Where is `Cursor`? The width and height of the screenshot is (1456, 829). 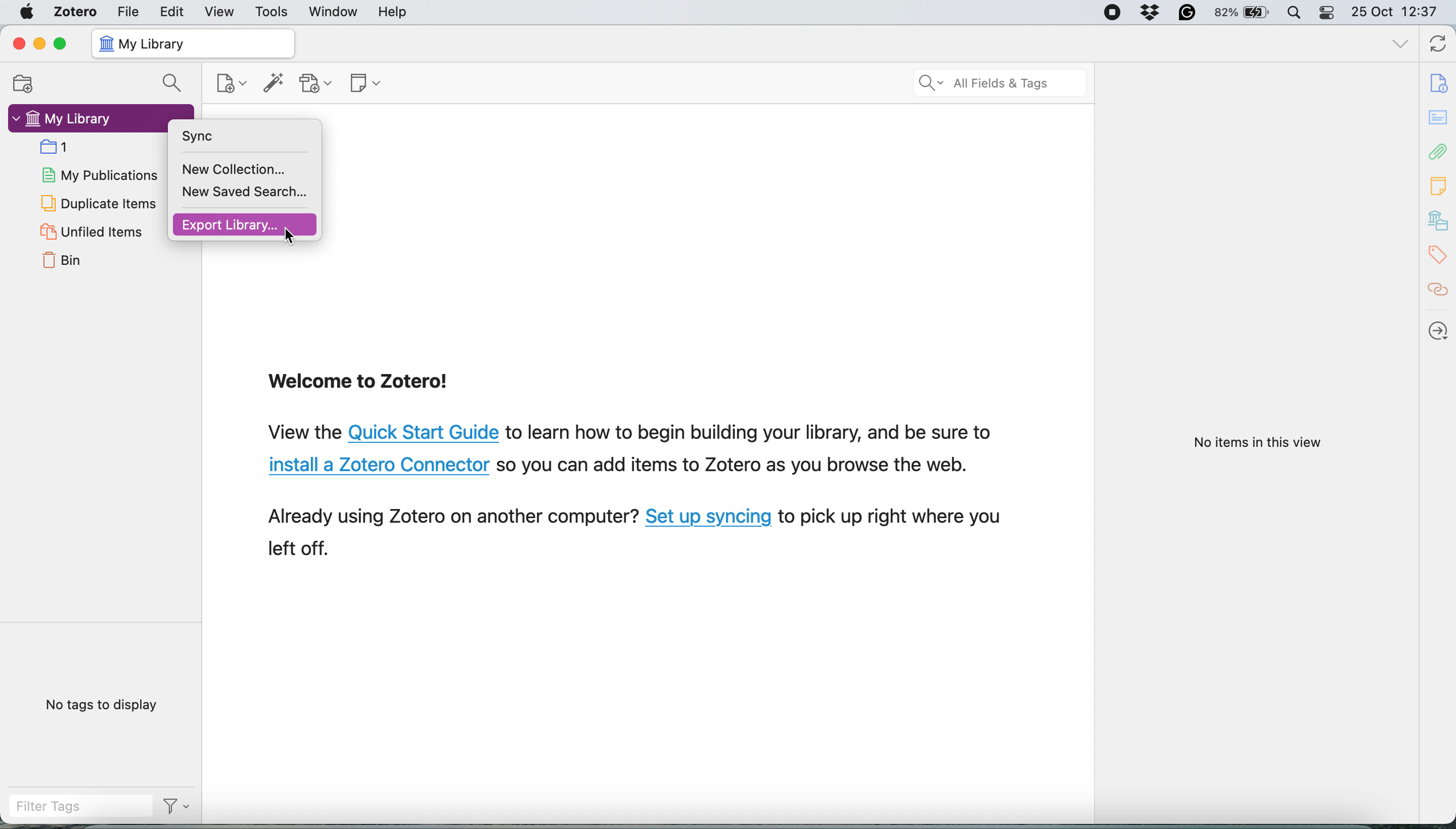 Cursor is located at coordinates (292, 238).